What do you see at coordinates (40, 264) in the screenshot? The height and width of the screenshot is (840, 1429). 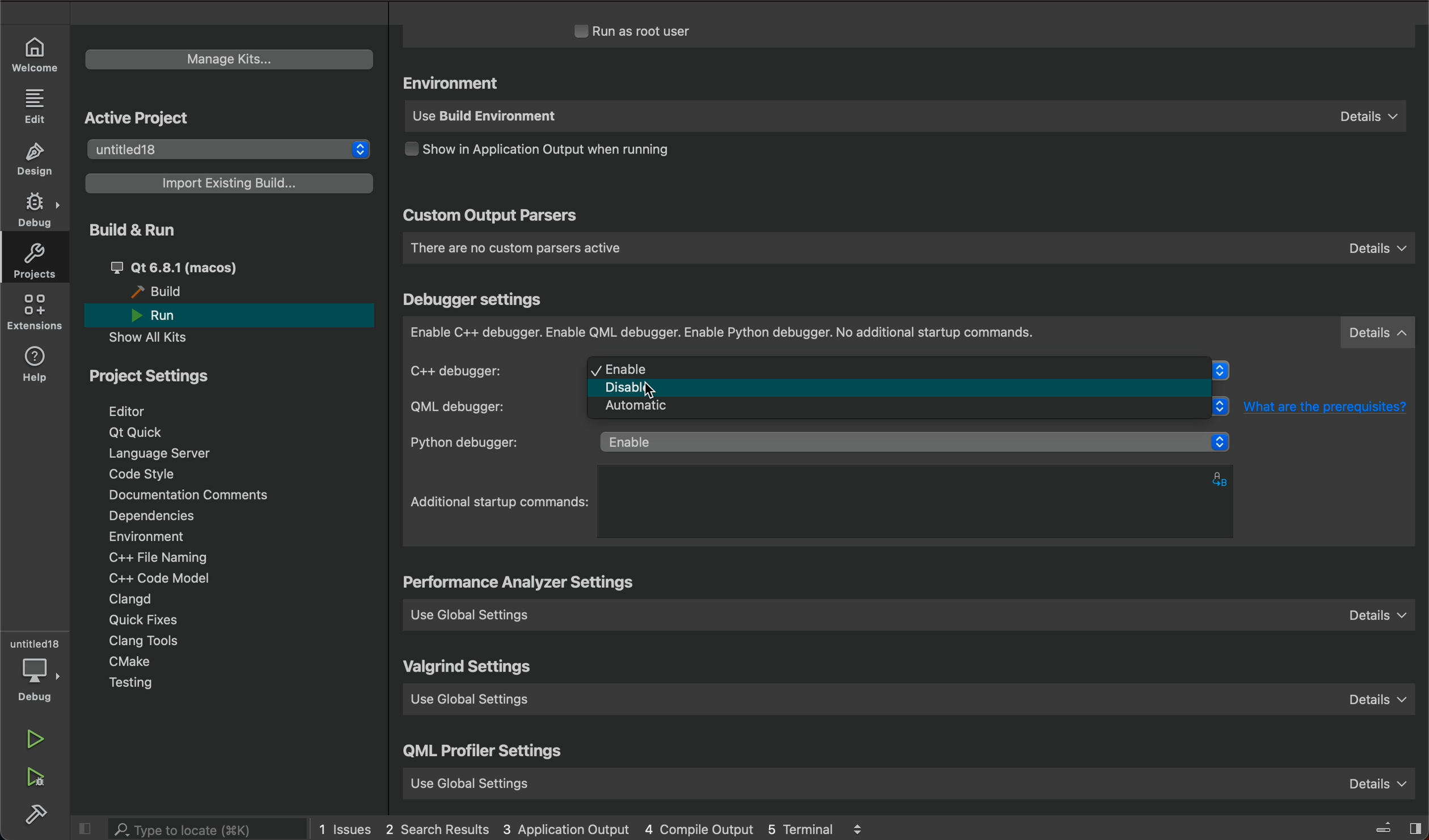 I see `projects` at bounding box center [40, 264].